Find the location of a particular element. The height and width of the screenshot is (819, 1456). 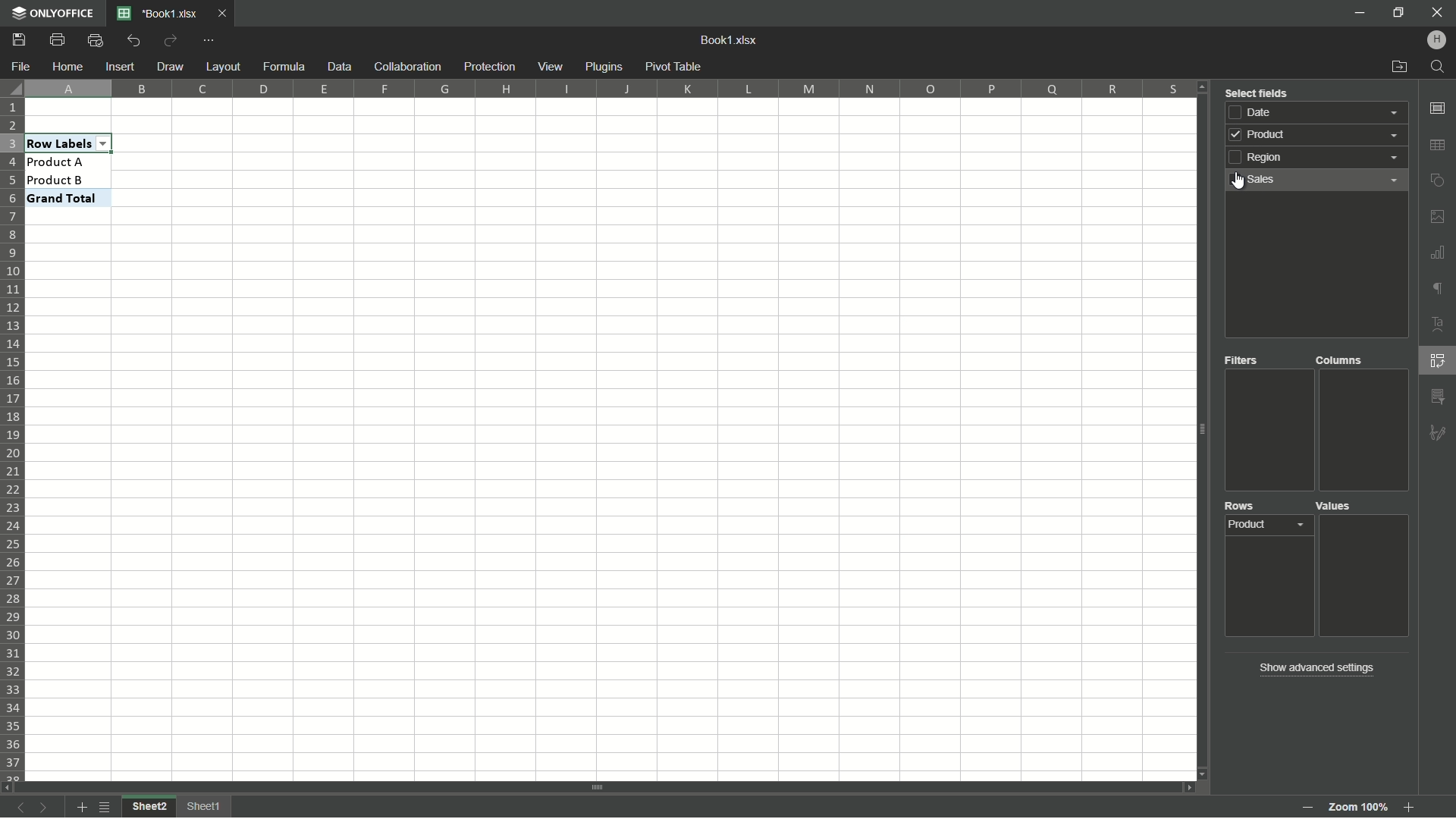

column number is located at coordinates (609, 87).